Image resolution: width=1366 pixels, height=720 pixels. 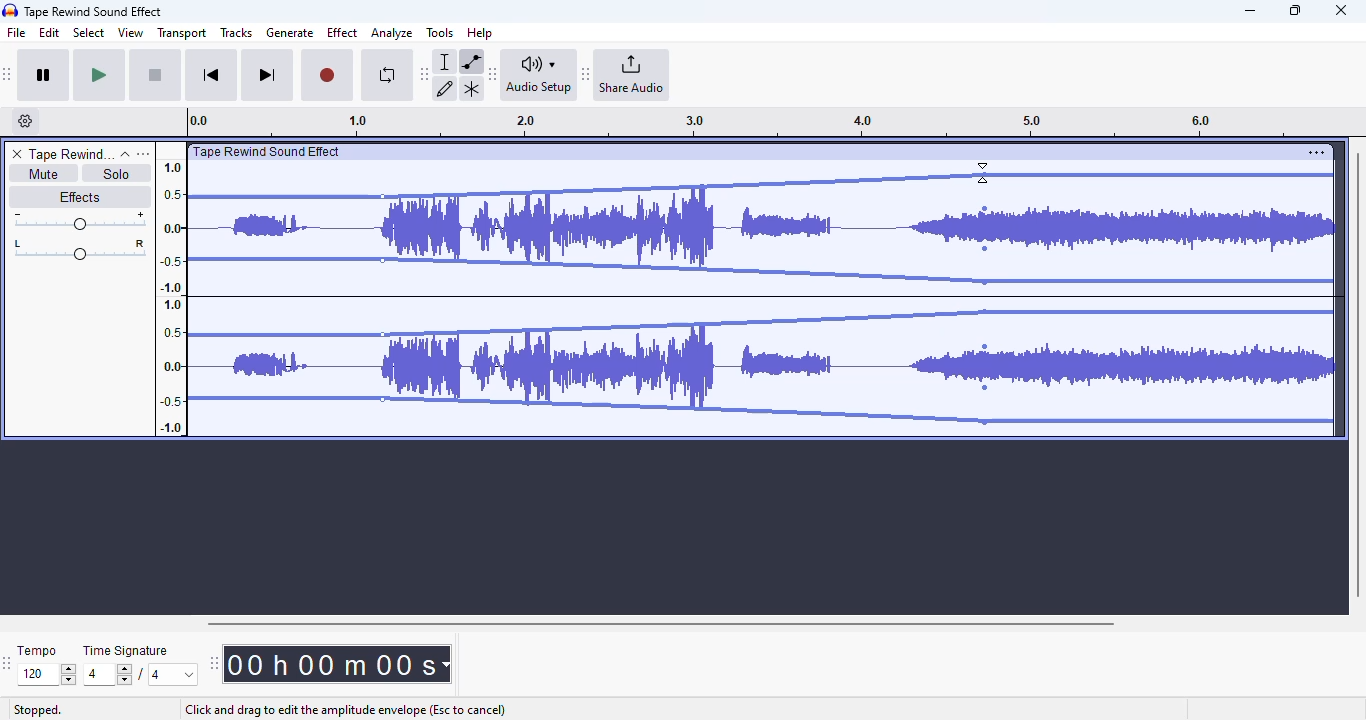 What do you see at coordinates (89, 32) in the screenshot?
I see `select` at bounding box center [89, 32].